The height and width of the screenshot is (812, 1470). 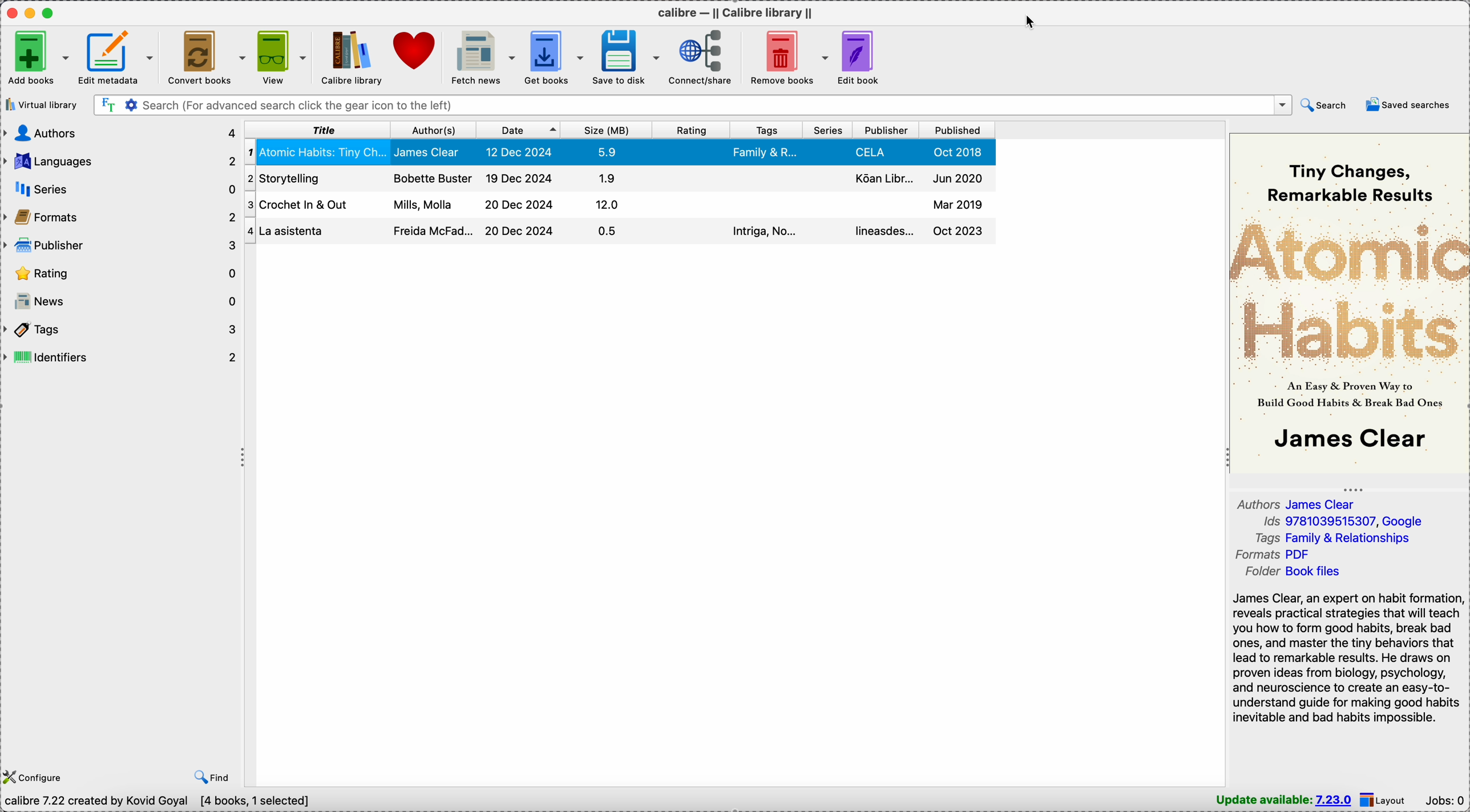 I want to click on add books, so click(x=37, y=58).